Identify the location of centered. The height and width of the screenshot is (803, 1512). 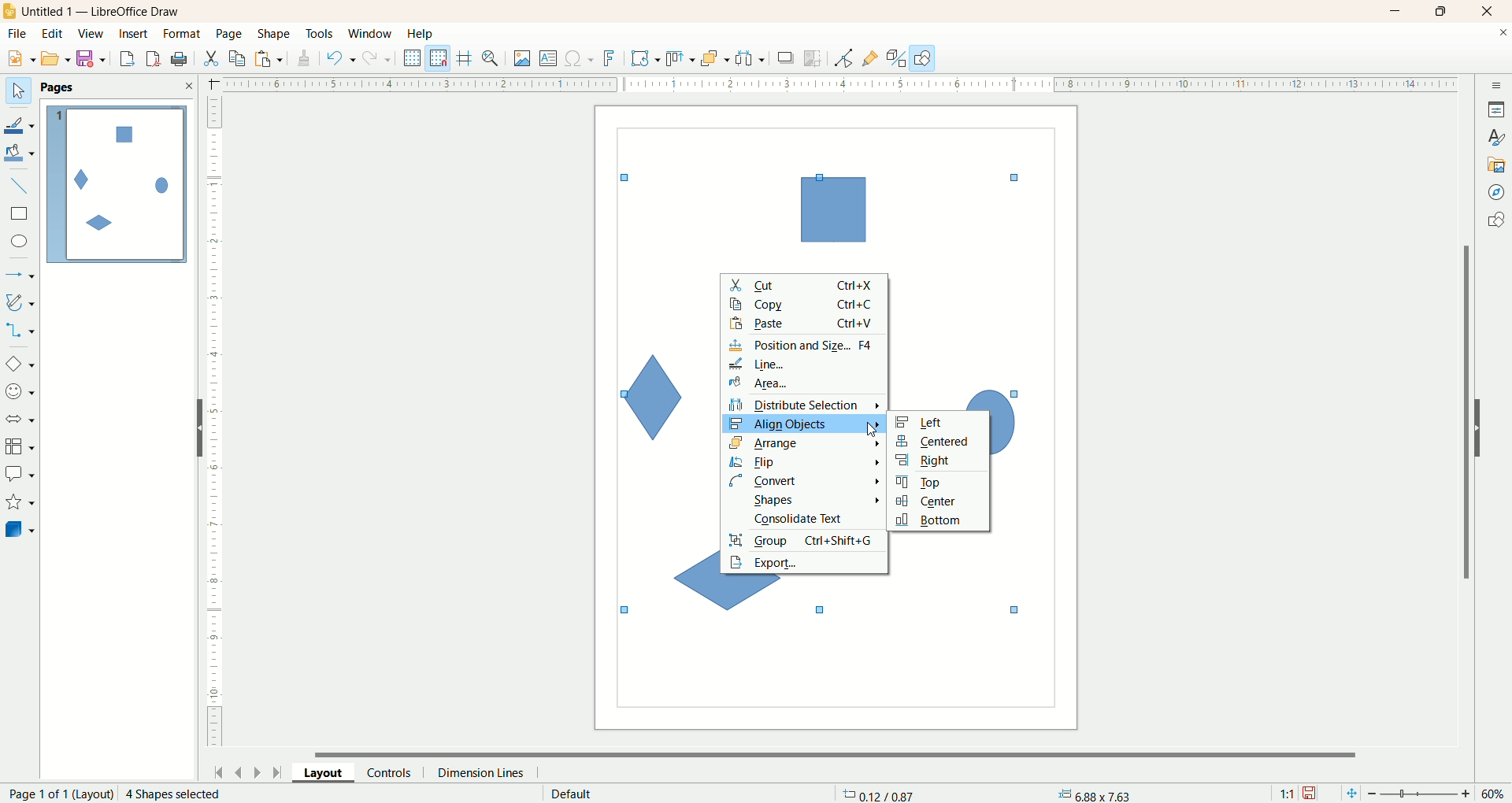
(939, 442).